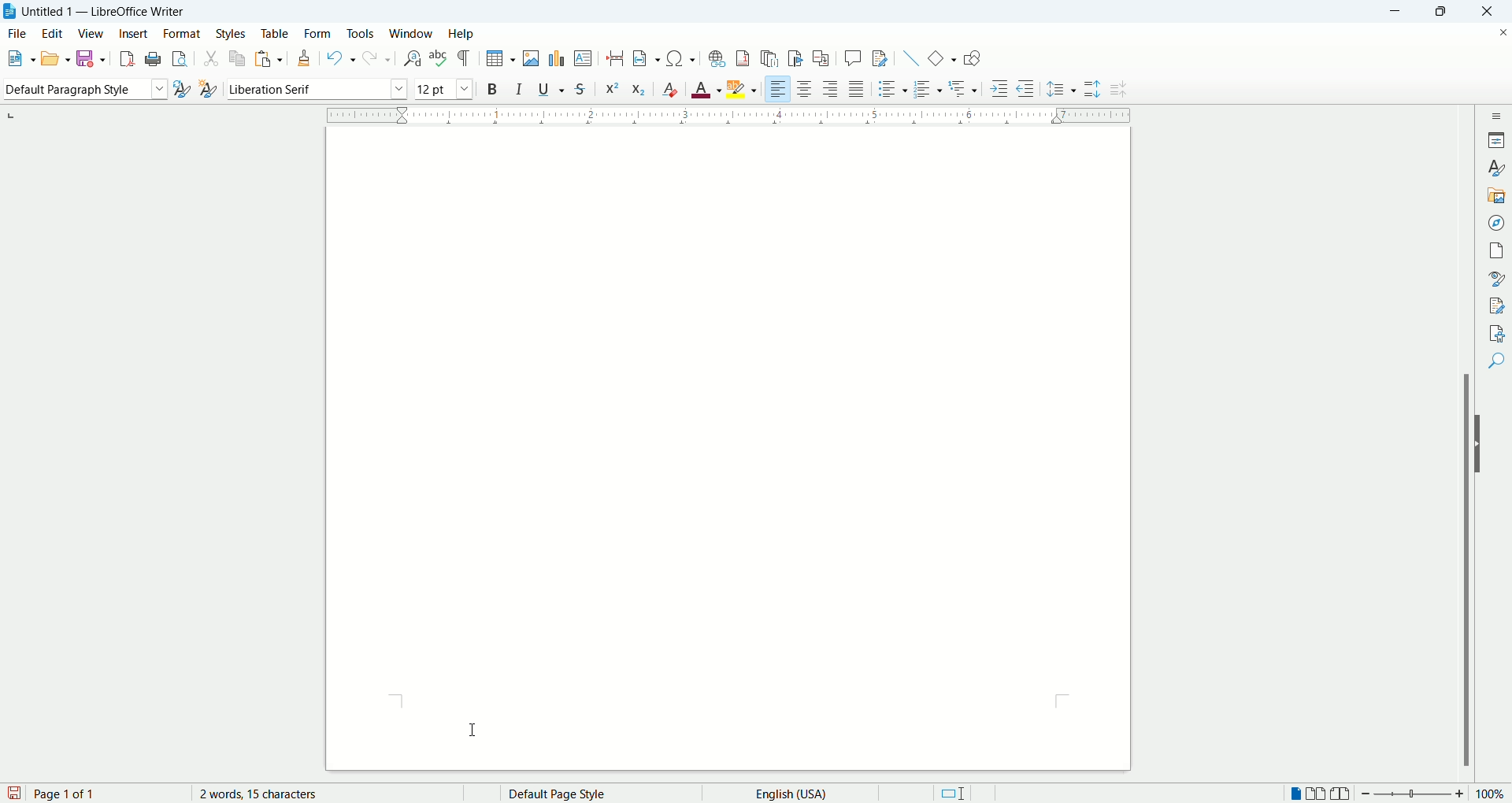  I want to click on insert basic shapes, so click(943, 57).